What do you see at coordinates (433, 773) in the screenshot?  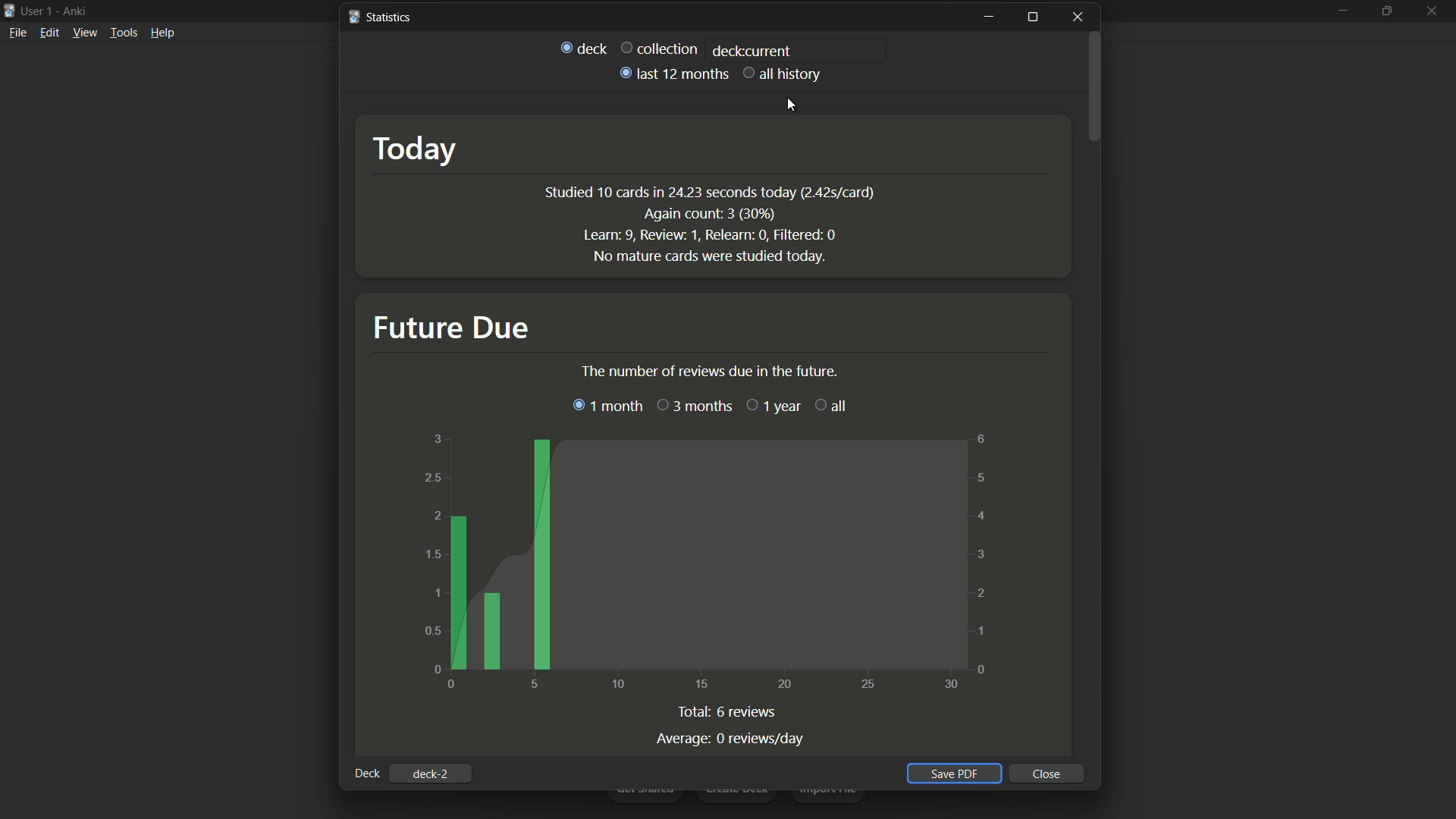 I see `Deck 2` at bounding box center [433, 773].